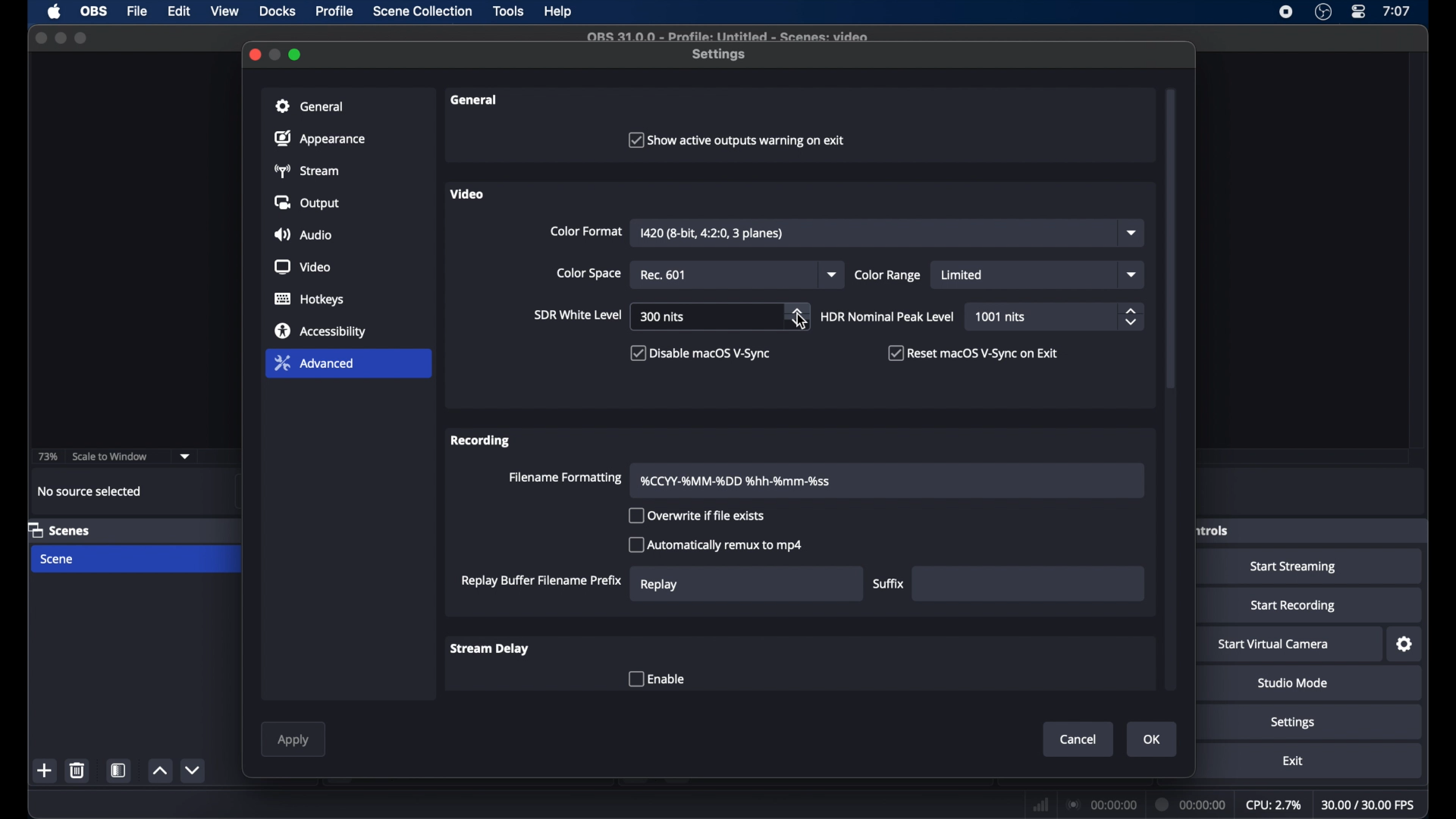 Image resolution: width=1456 pixels, height=819 pixels. I want to click on start virtual camera, so click(1273, 645).